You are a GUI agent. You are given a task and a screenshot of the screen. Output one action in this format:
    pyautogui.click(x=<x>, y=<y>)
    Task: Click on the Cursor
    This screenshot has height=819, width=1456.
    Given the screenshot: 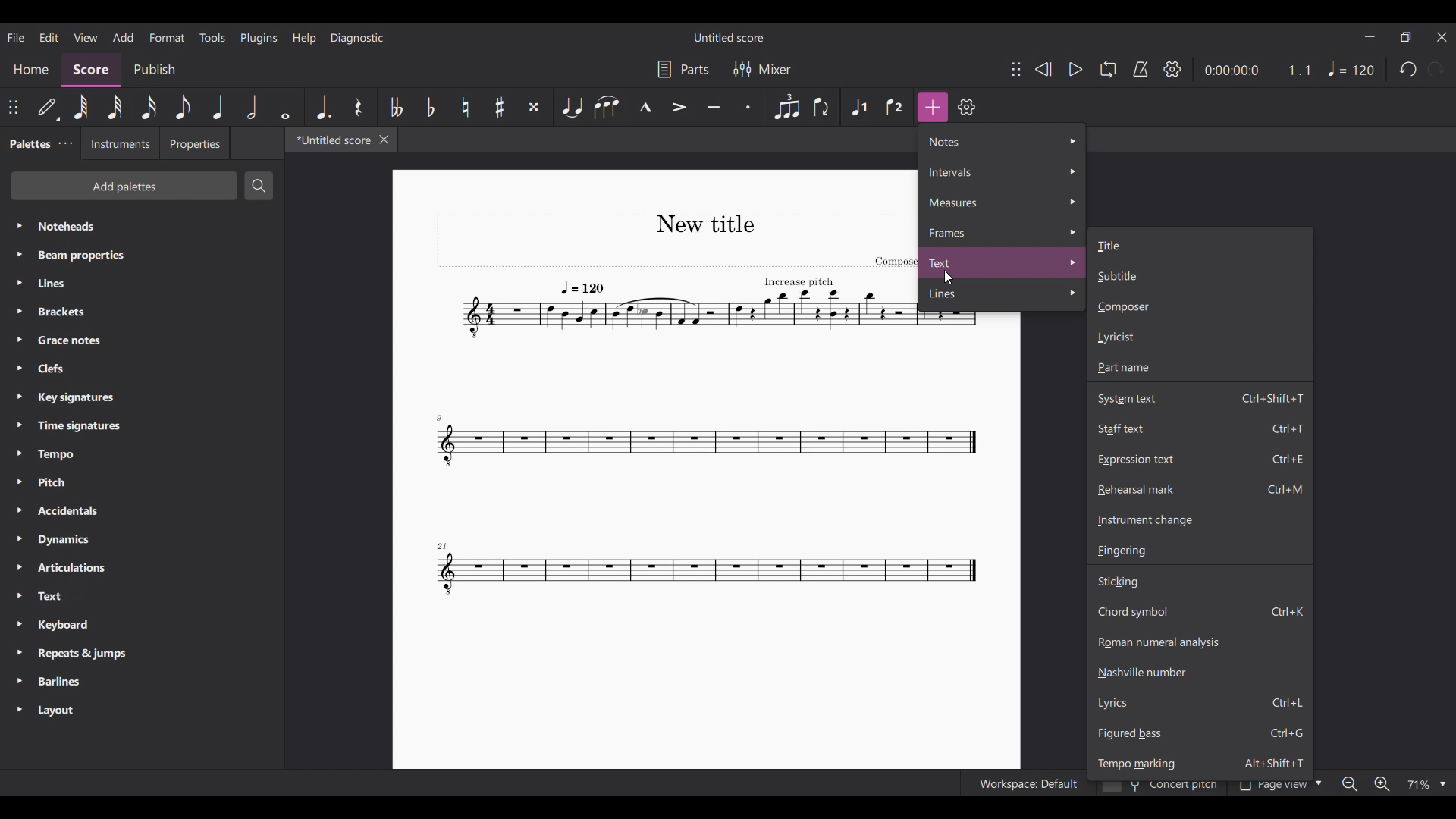 What is the action you would take?
    pyautogui.click(x=949, y=278)
    